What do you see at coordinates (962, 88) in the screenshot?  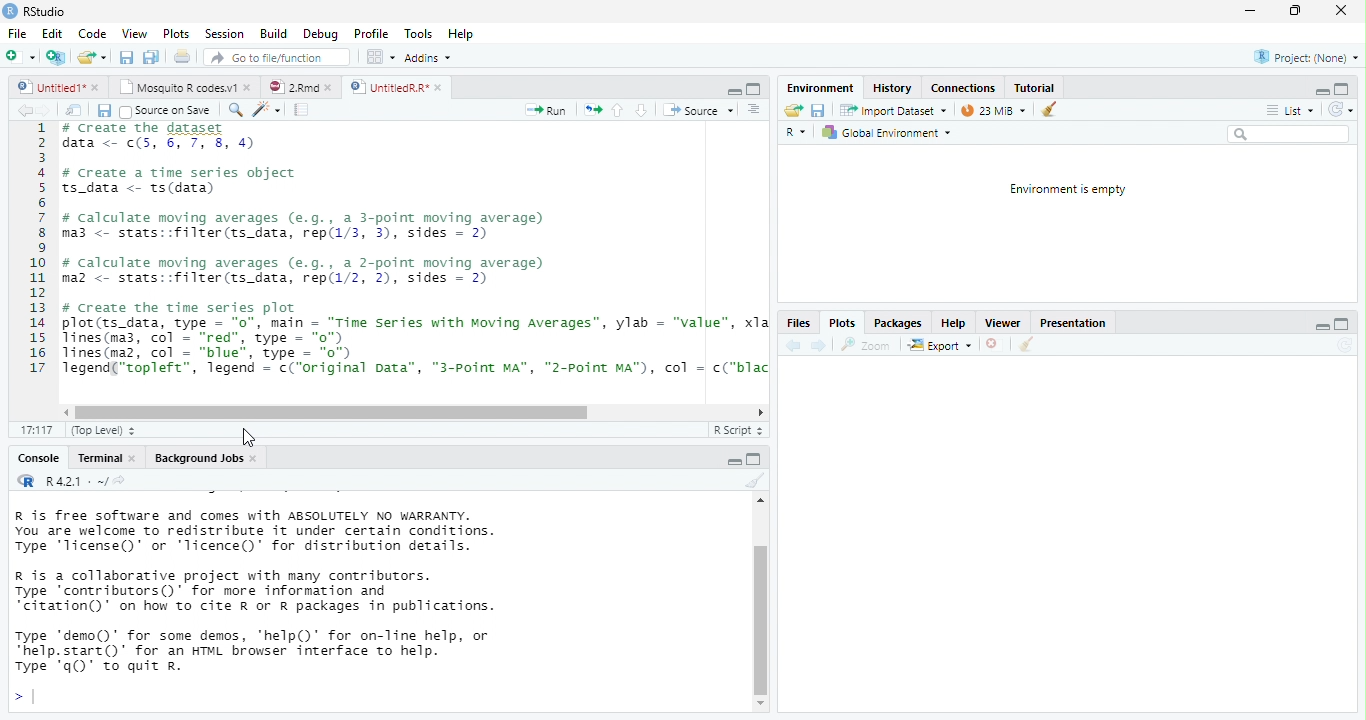 I see `Connections` at bounding box center [962, 88].